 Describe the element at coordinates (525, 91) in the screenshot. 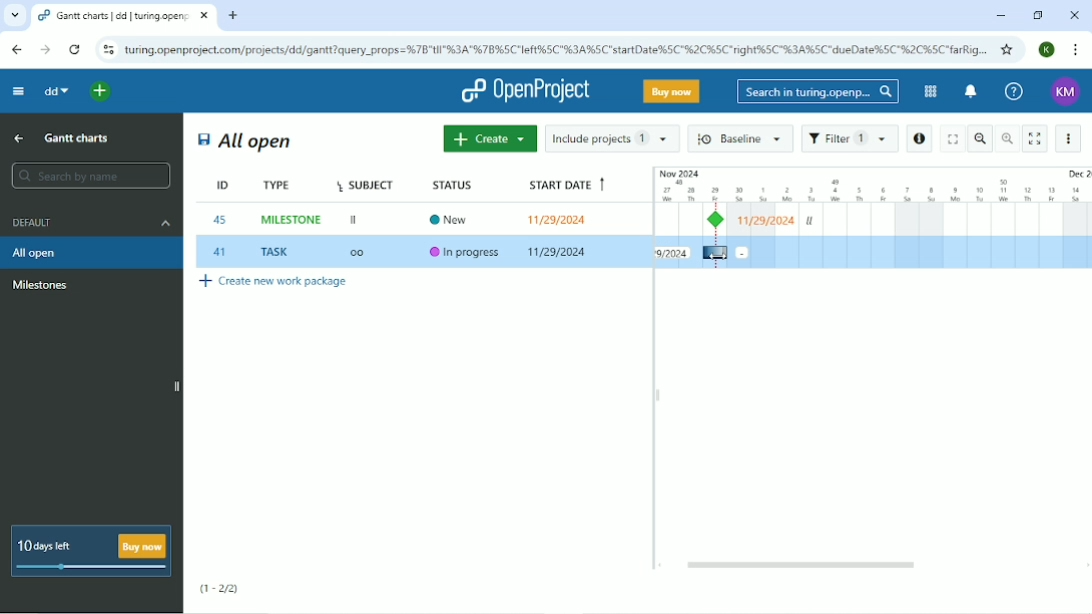

I see `OpenProject` at that location.